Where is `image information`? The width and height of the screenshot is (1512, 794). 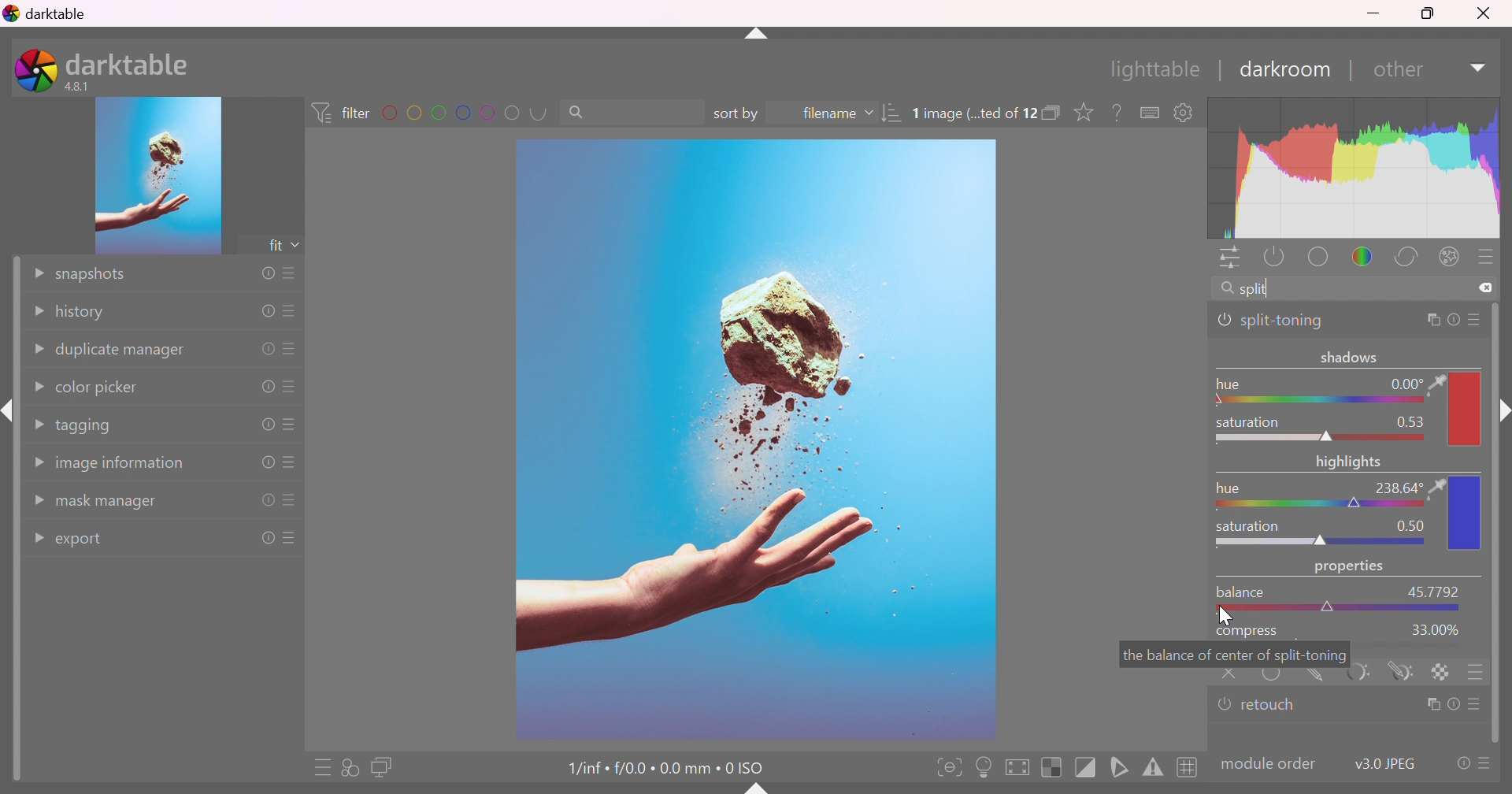 image information is located at coordinates (124, 465).